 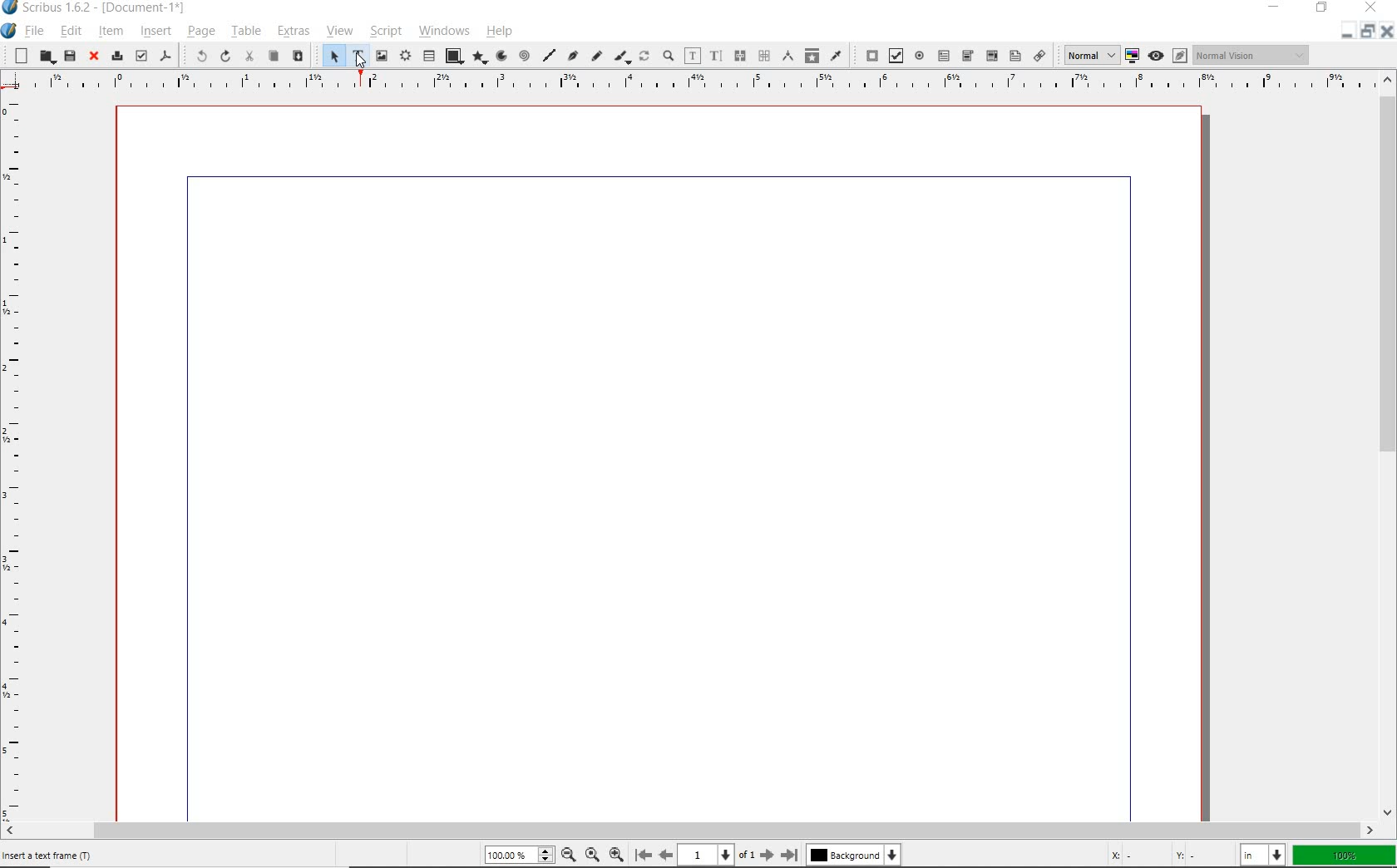 What do you see at coordinates (1389, 445) in the screenshot?
I see `scrollbar` at bounding box center [1389, 445].